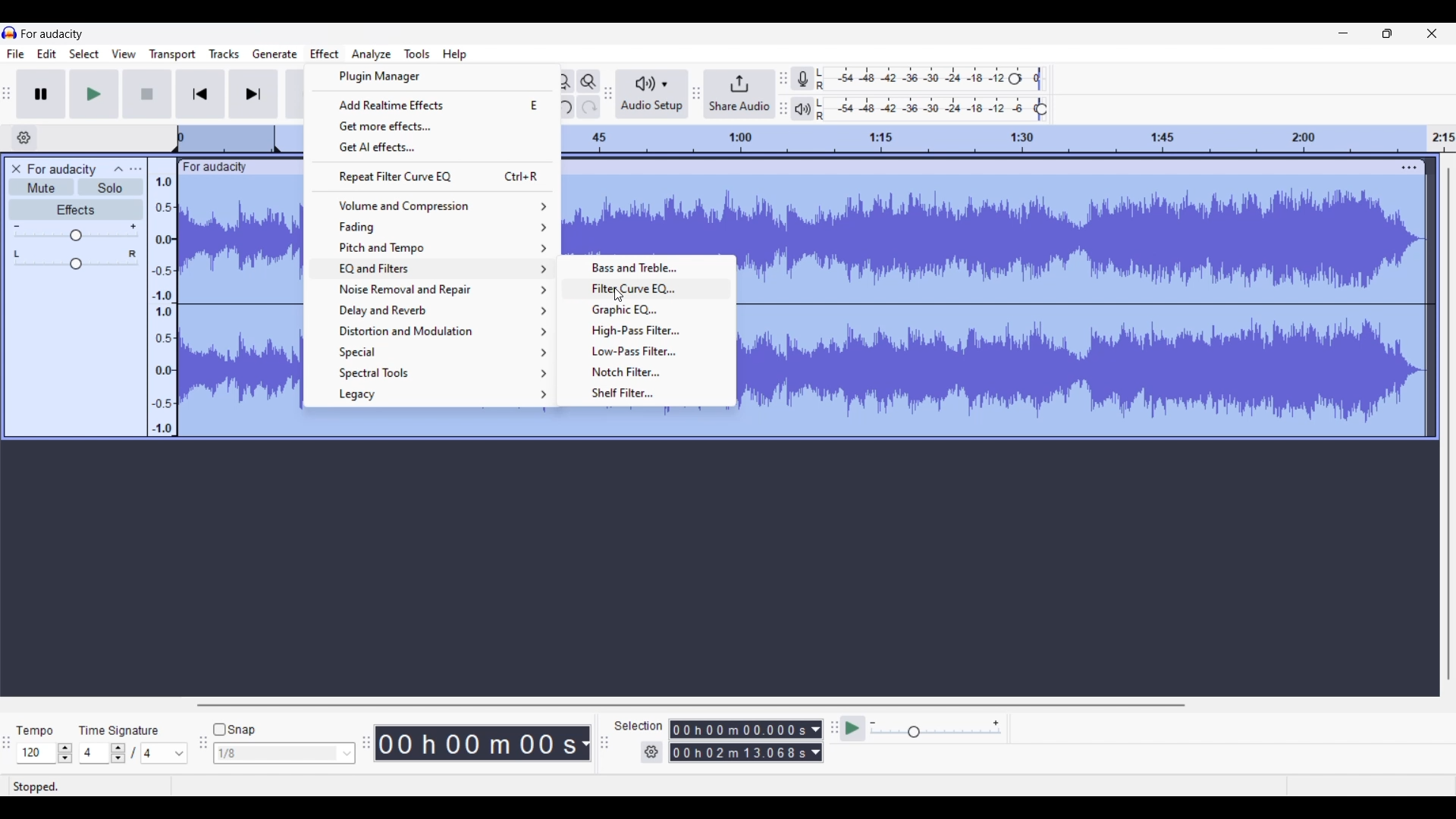 The width and height of the screenshot is (1456, 819). Describe the element at coordinates (619, 295) in the screenshot. I see `Cursor clicking on Filter Curve EQ options` at that location.